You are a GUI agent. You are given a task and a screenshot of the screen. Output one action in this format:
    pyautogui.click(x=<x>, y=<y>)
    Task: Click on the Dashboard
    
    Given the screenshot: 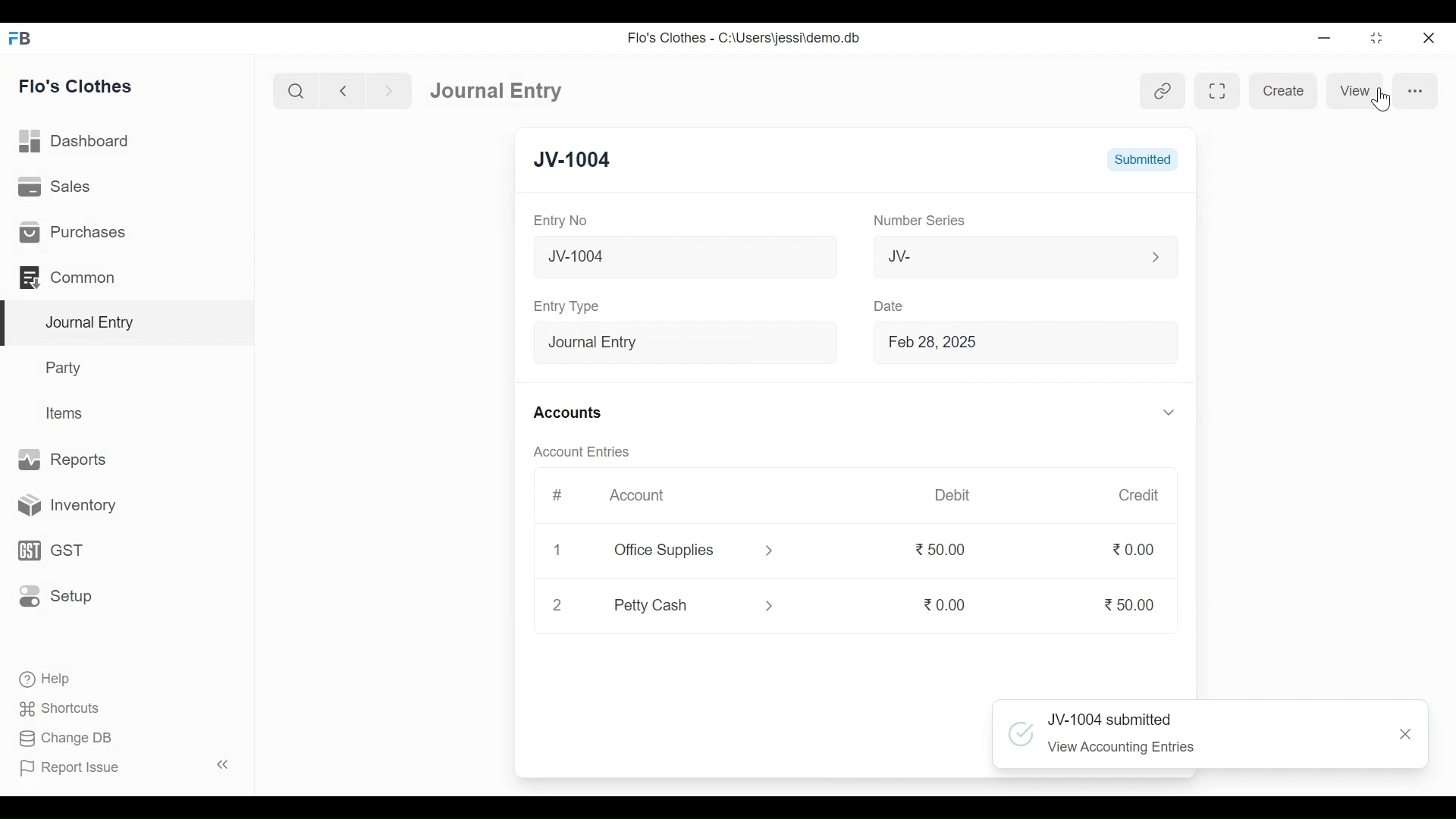 What is the action you would take?
    pyautogui.click(x=75, y=140)
    